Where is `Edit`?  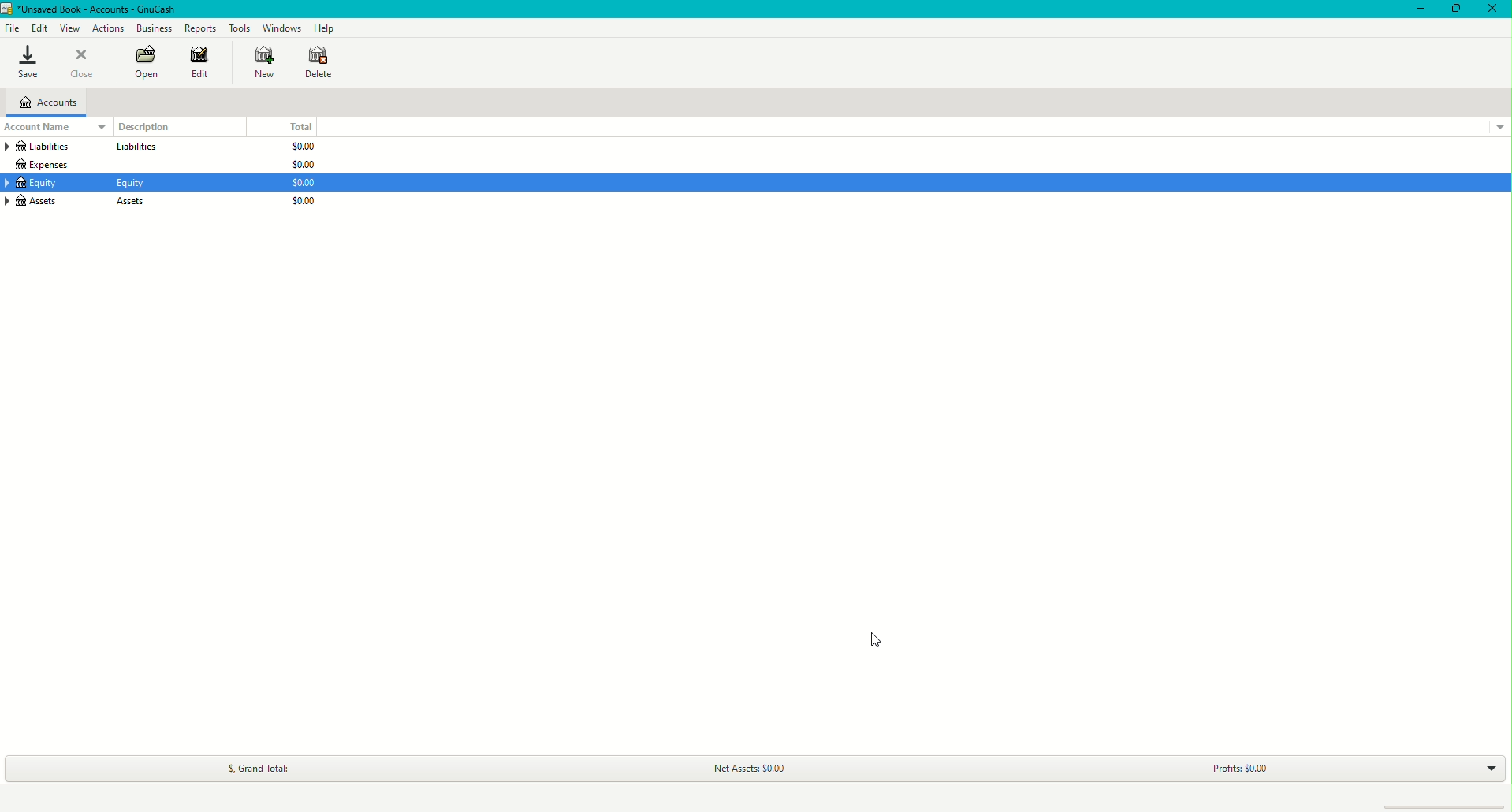
Edit is located at coordinates (37, 26).